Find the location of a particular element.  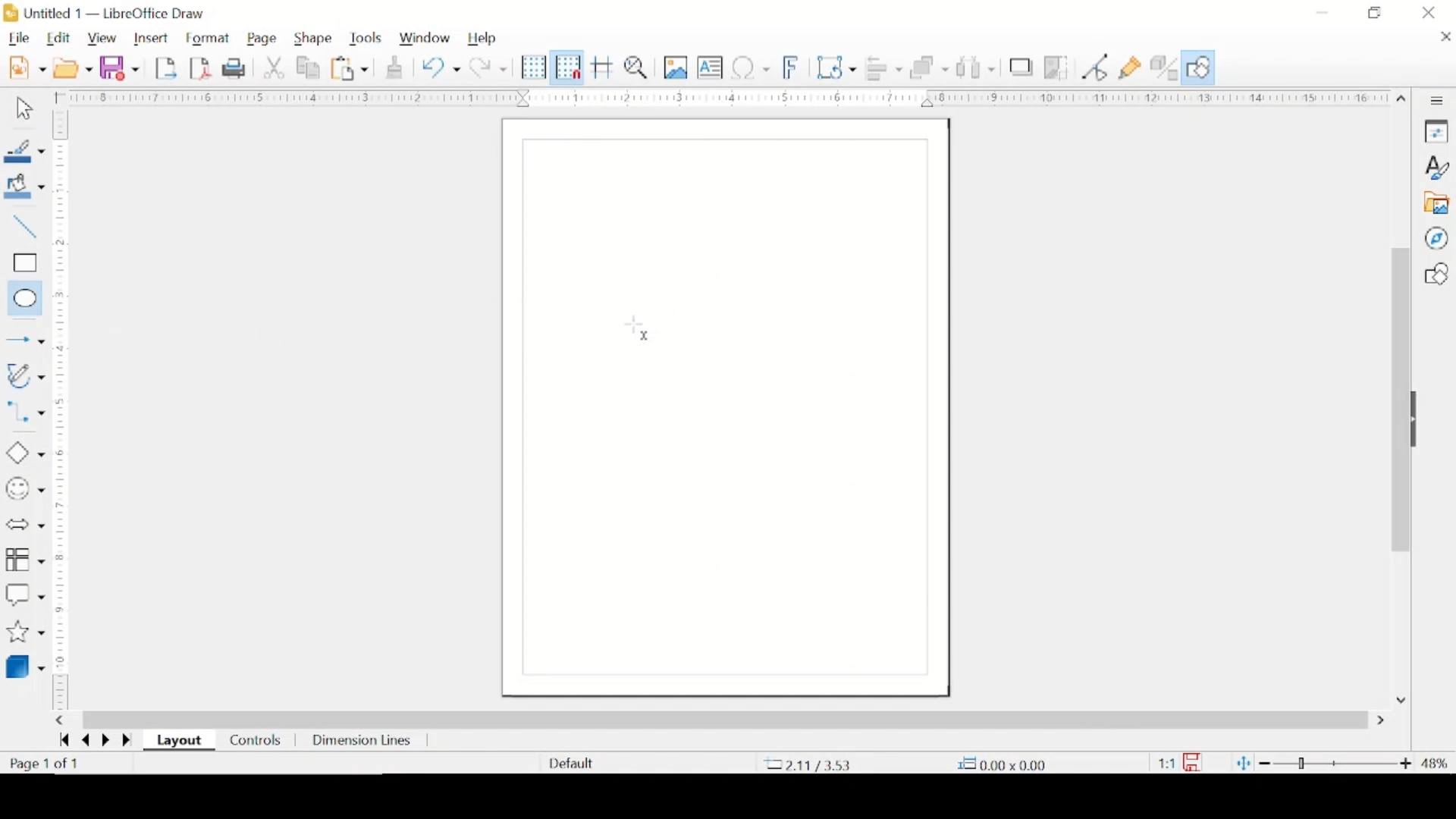

curves and polygons is located at coordinates (25, 375).